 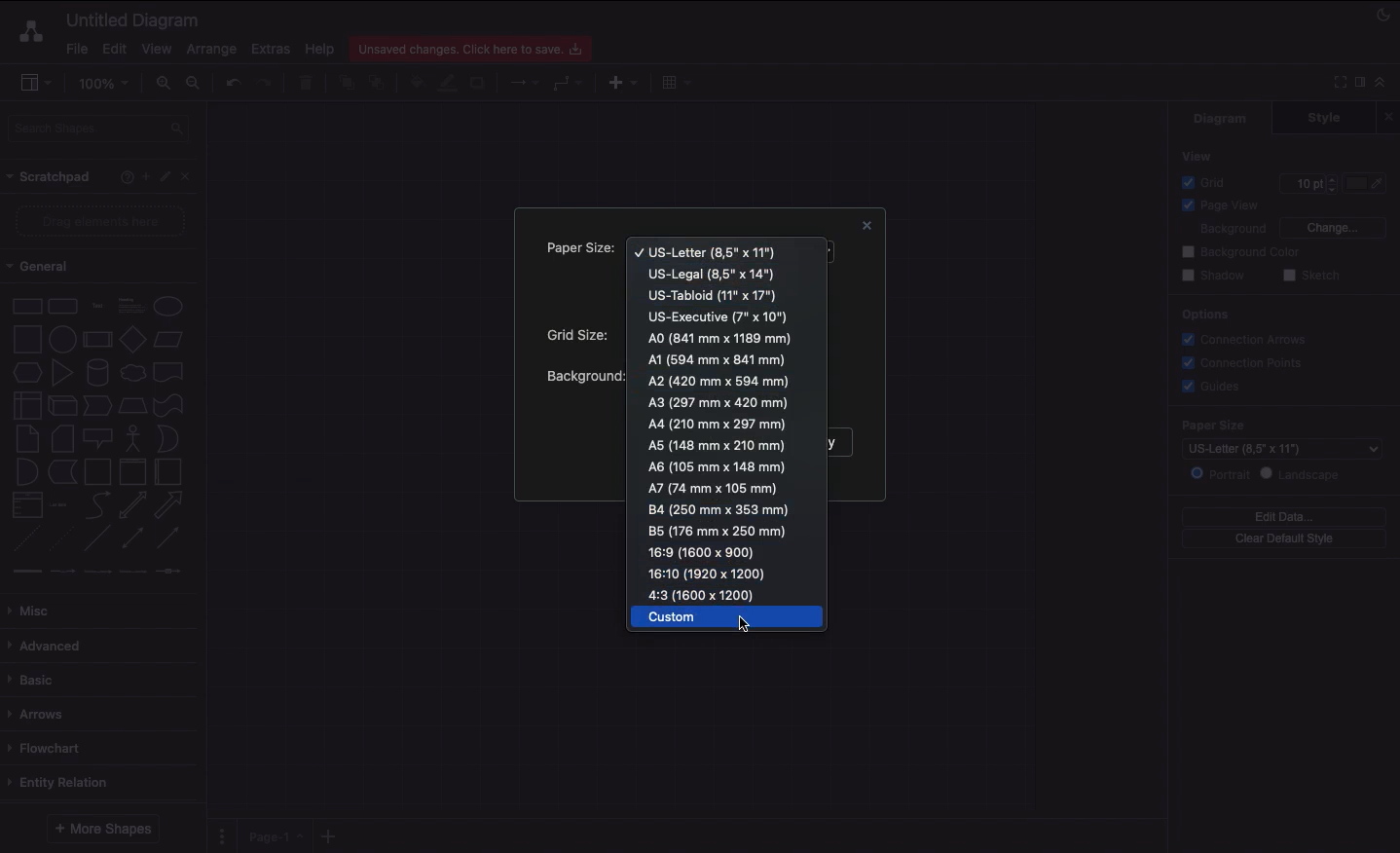 What do you see at coordinates (309, 84) in the screenshot?
I see `Trash` at bounding box center [309, 84].